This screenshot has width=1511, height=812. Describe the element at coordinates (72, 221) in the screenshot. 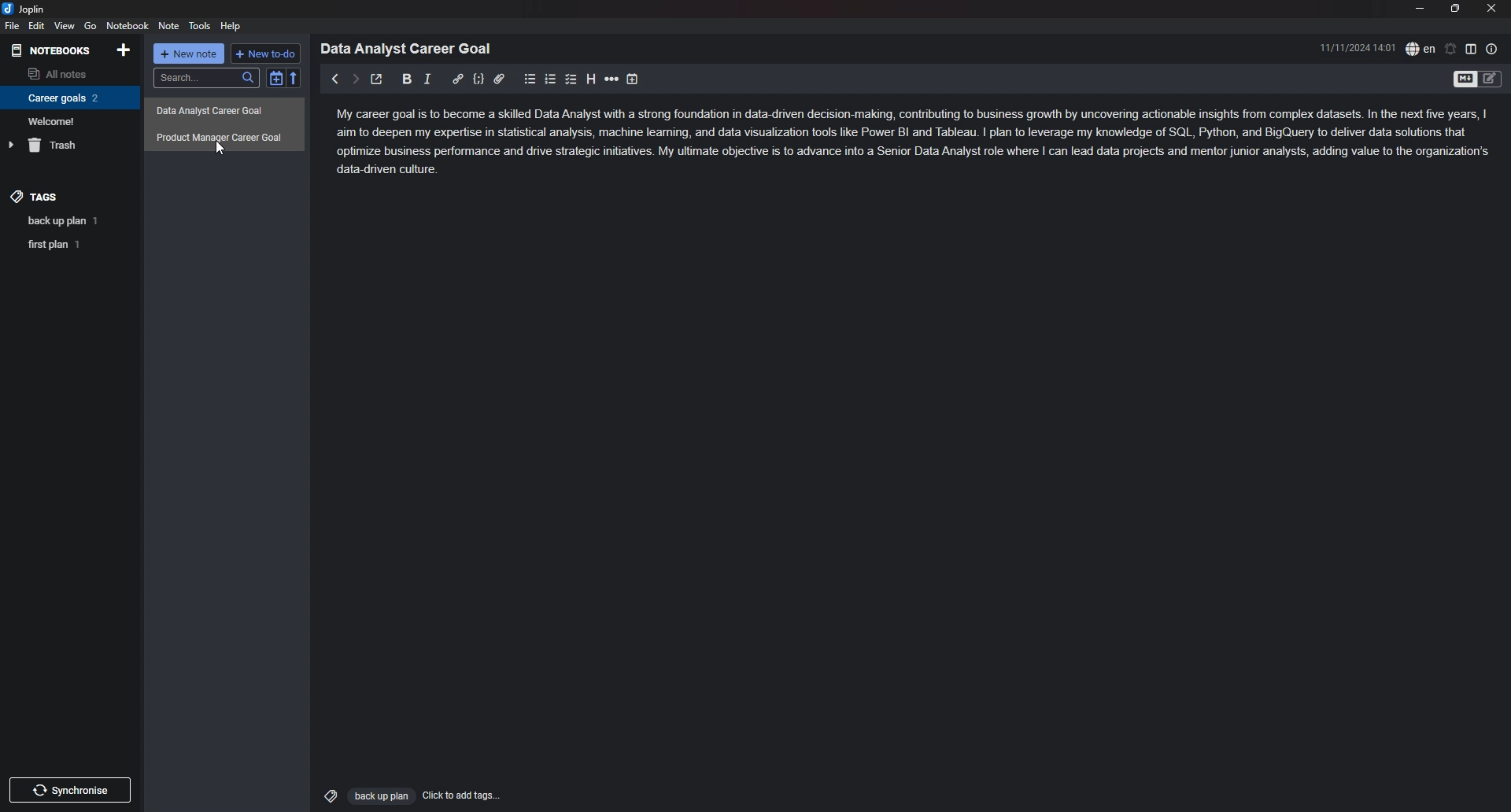

I see `back up plan 1` at that location.